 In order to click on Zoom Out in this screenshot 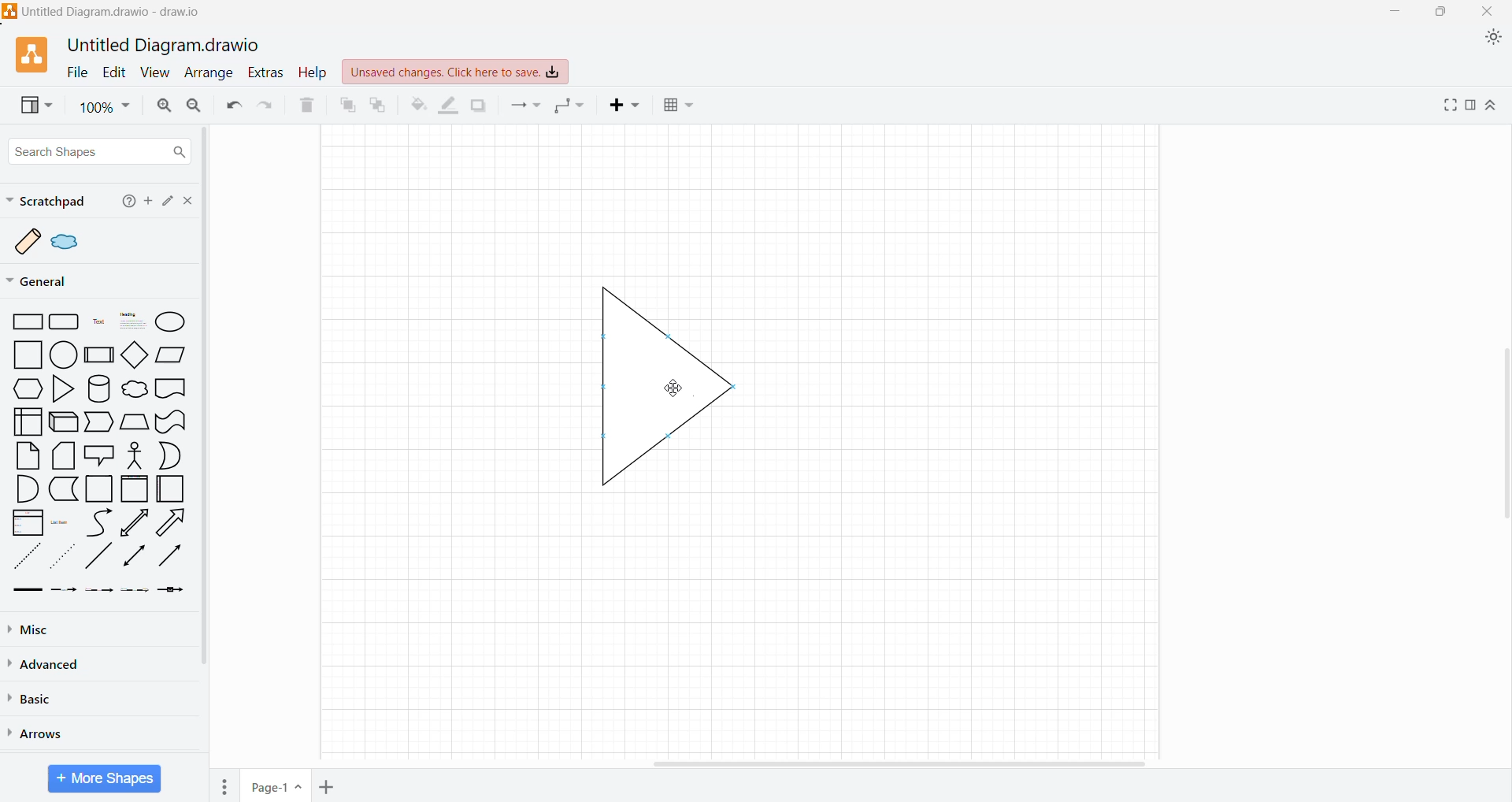, I will do `click(194, 104)`.